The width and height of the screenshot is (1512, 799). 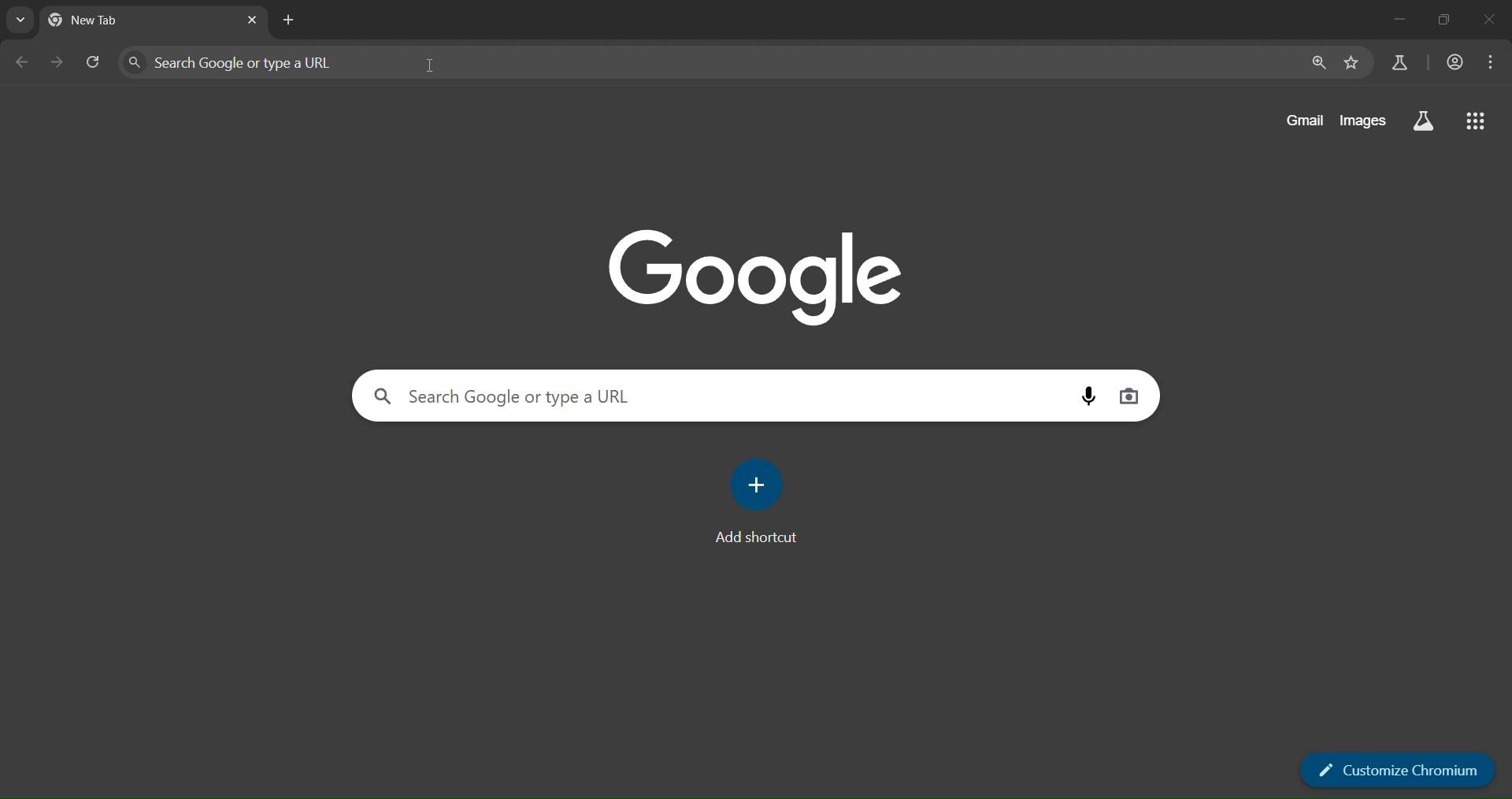 I want to click on menu, so click(x=1494, y=61).